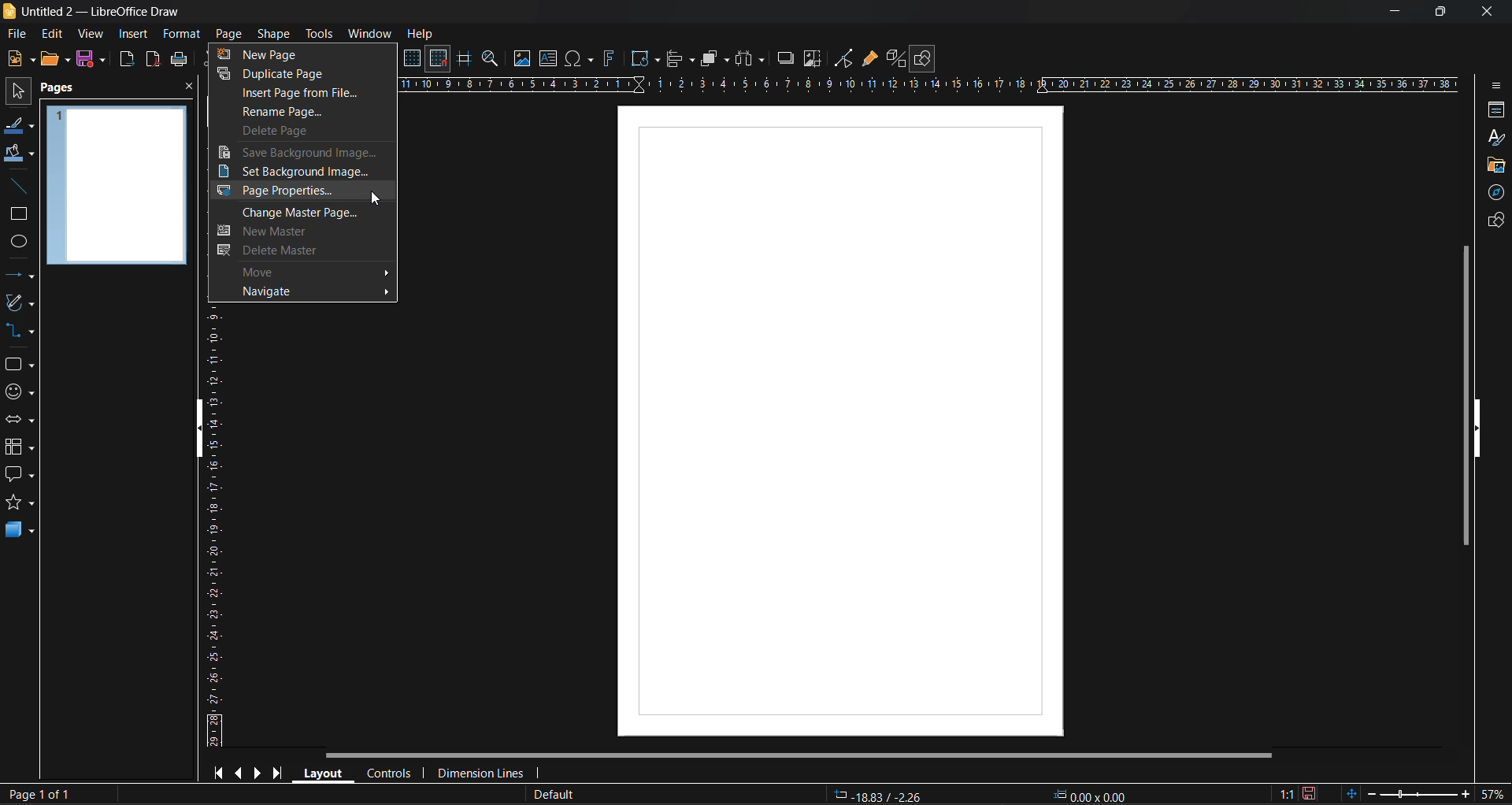  I want to click on ellipse, so click(19, 244).